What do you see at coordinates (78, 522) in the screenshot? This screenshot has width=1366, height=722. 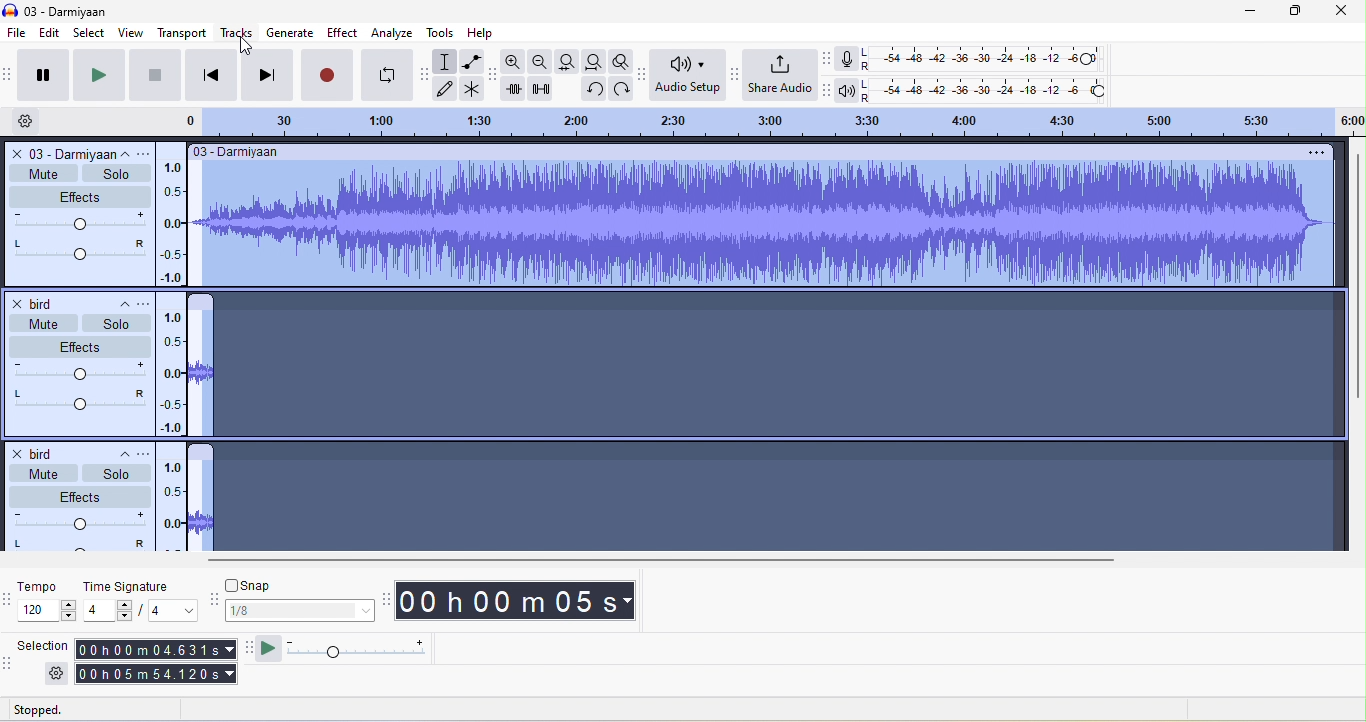 I see `volume` at bounding box center [78, 522].